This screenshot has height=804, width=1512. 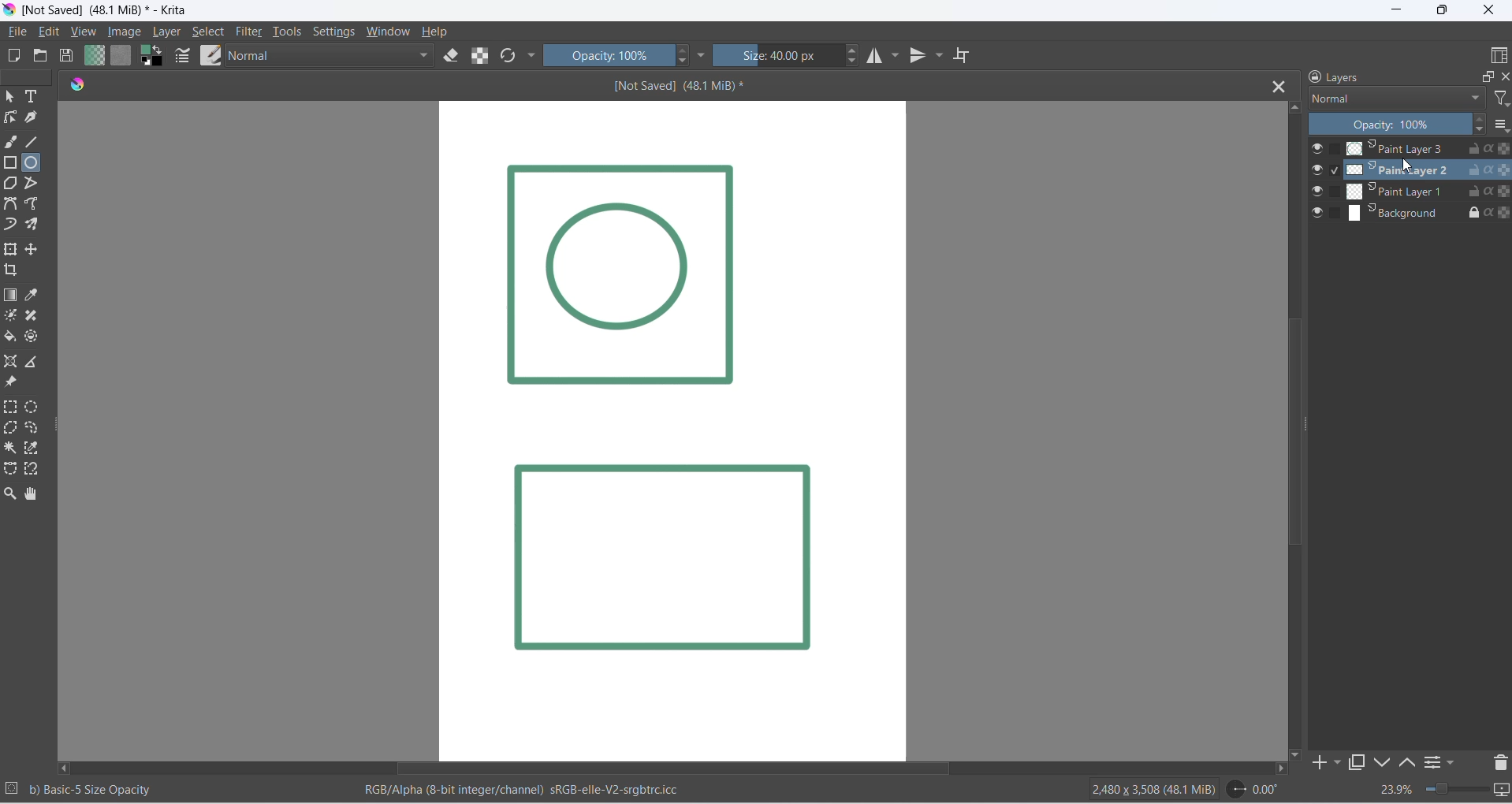 What do you see at coordinates (11, 362) in the screenshot?
I see `assistant tool` at bounding box center [11, 362].